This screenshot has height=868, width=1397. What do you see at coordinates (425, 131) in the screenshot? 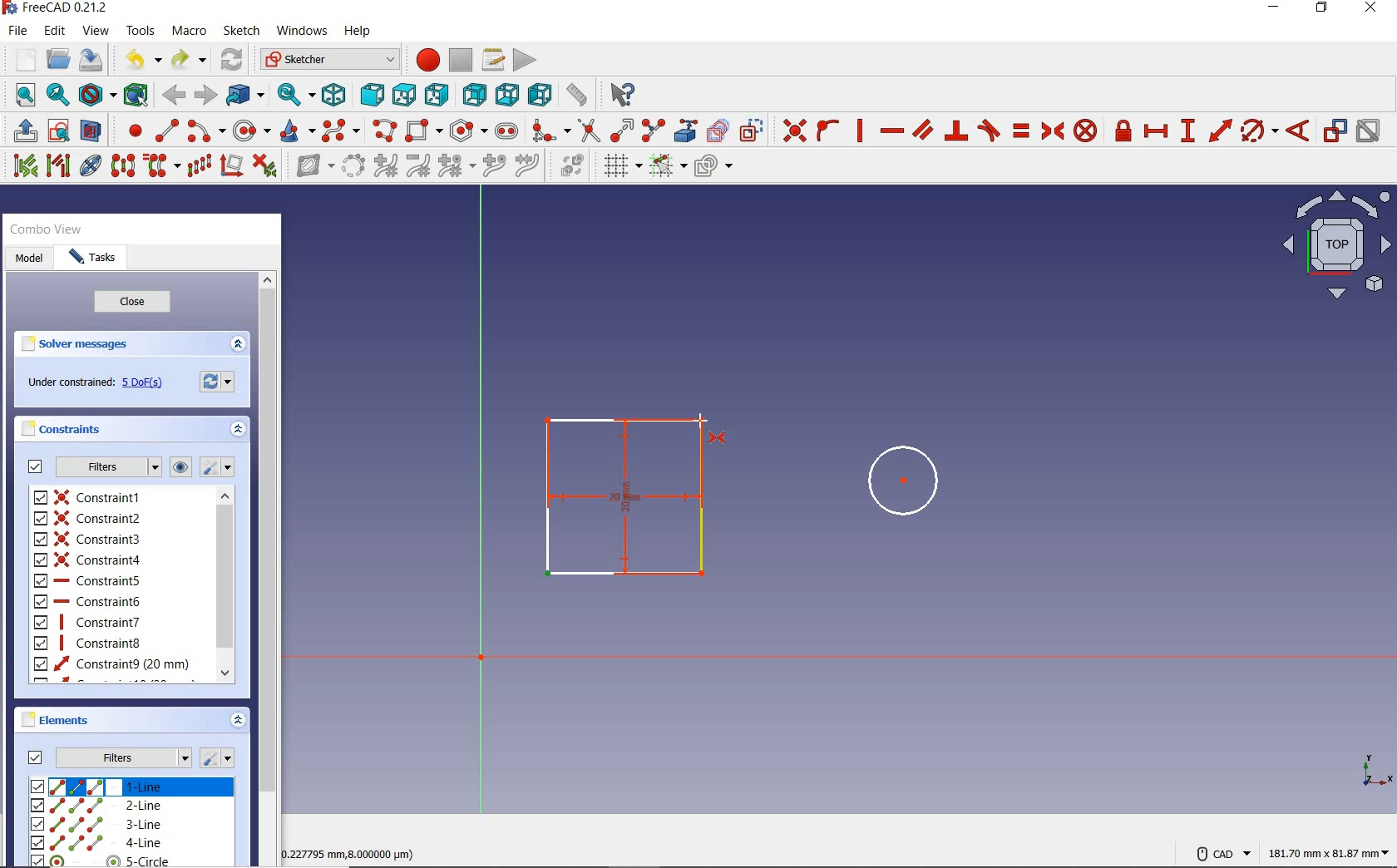
I see `centered rectangle` at bounding box center [425, 131].